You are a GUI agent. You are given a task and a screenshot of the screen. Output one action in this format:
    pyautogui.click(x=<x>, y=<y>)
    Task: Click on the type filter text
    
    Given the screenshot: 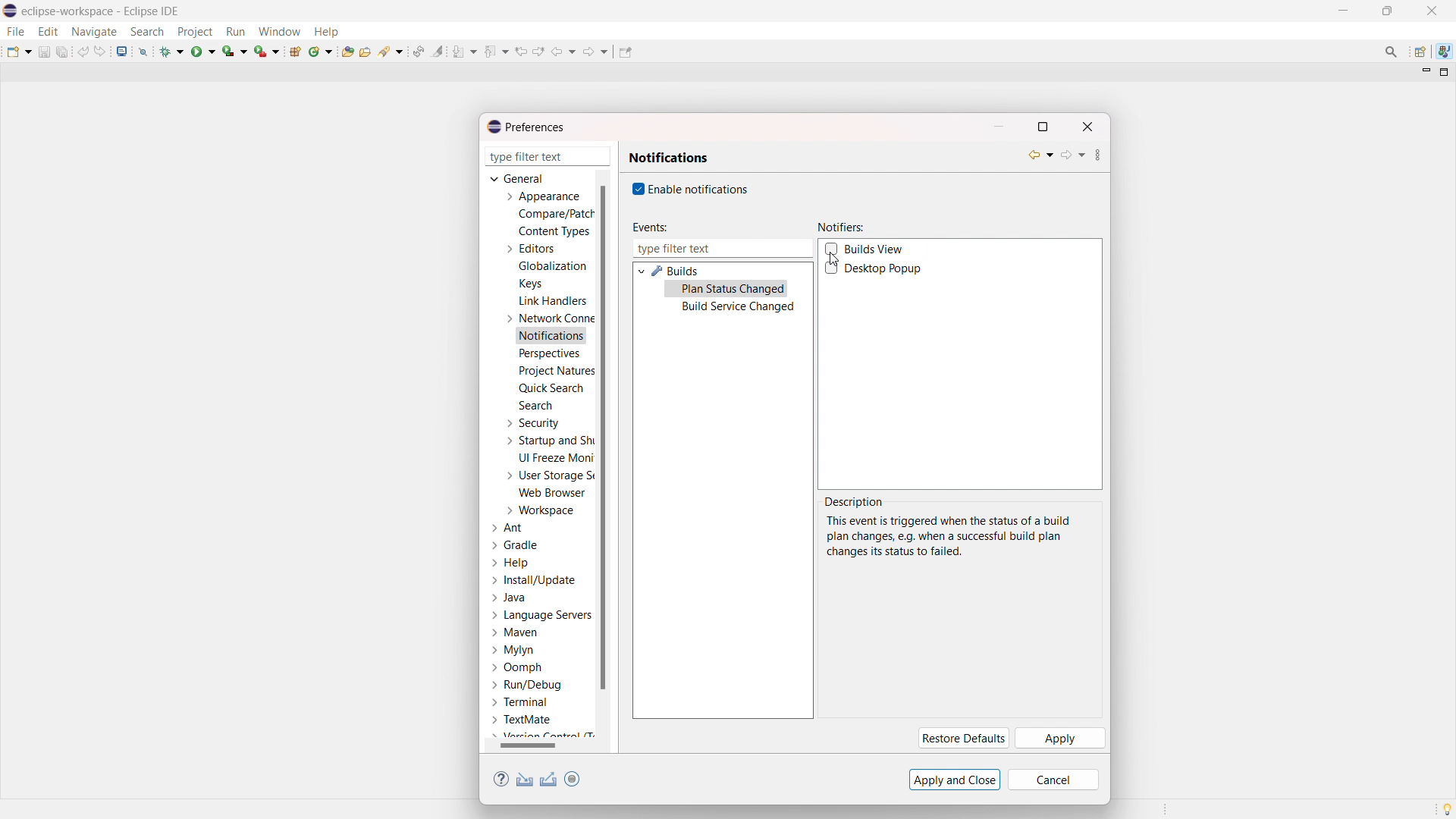 What is the action you would take?
    pyautogui.click(x=549, y=156)
    